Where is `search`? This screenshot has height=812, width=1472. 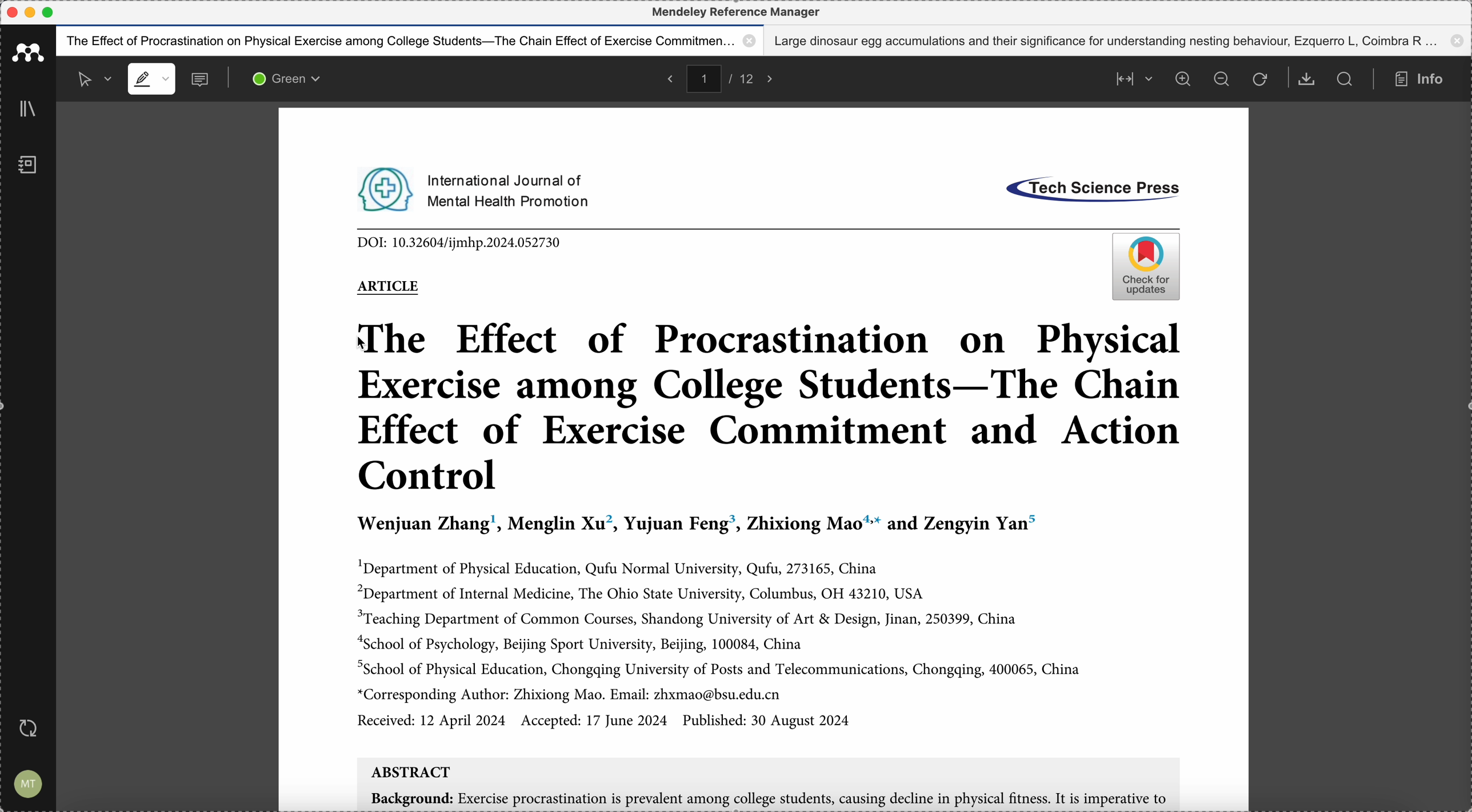 search is located at coordinates (1345, 79).